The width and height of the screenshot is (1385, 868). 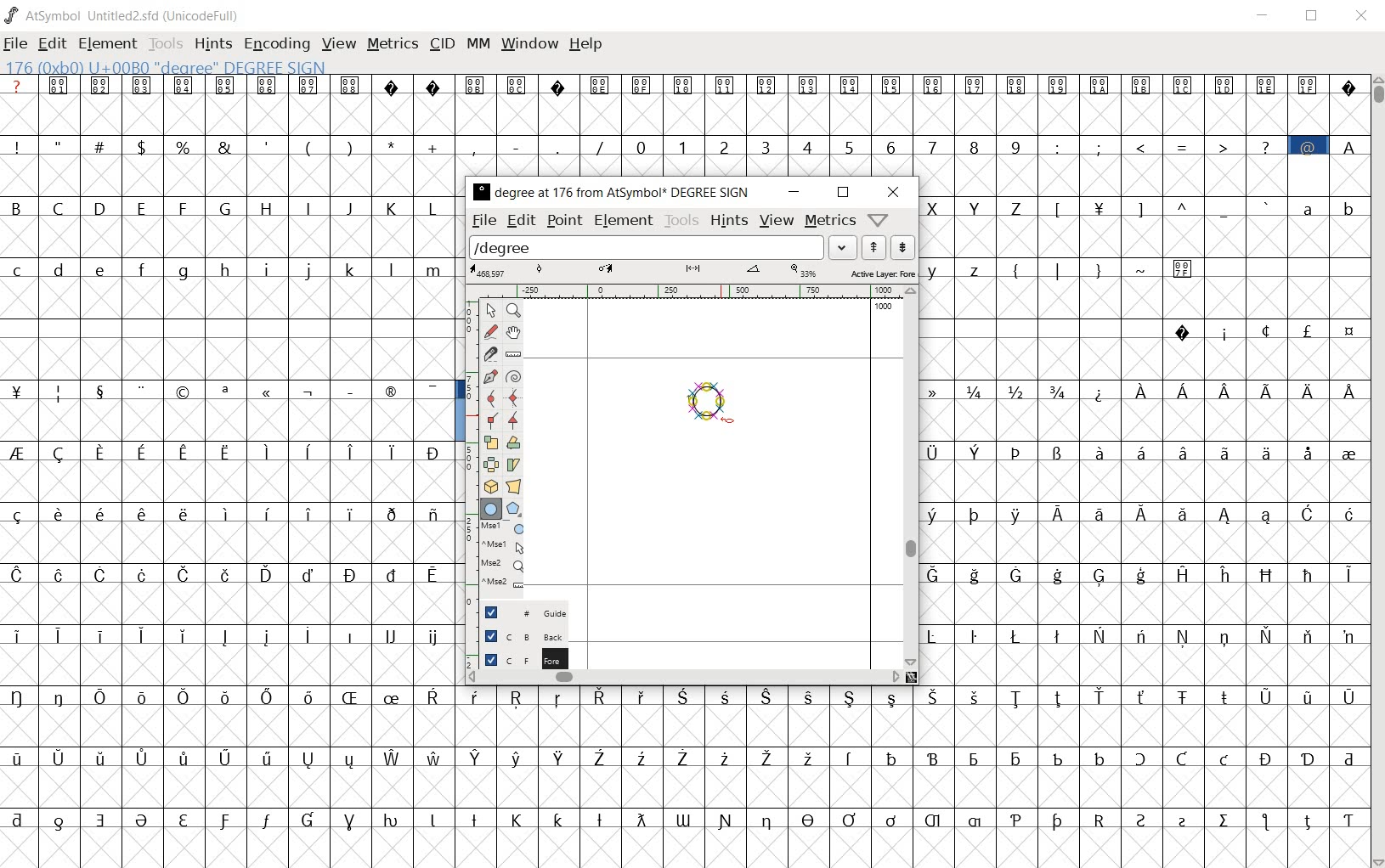 I want to click on special characters, so click(x=229, y=392).